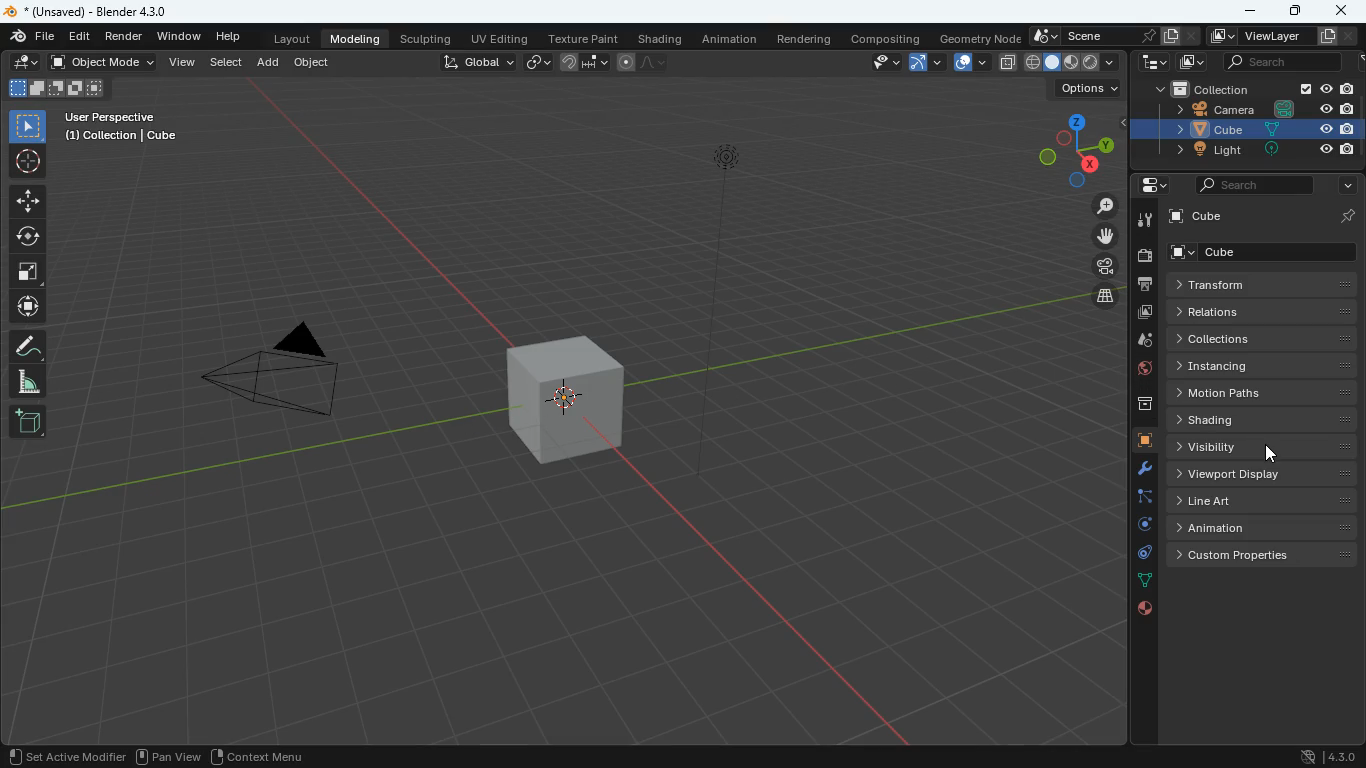 This screenshot has width=1366, height=768. What do you see at coordinates (62, 755) in the screenshot?
I see `set achive modifier` at bounding box center [62, 755].